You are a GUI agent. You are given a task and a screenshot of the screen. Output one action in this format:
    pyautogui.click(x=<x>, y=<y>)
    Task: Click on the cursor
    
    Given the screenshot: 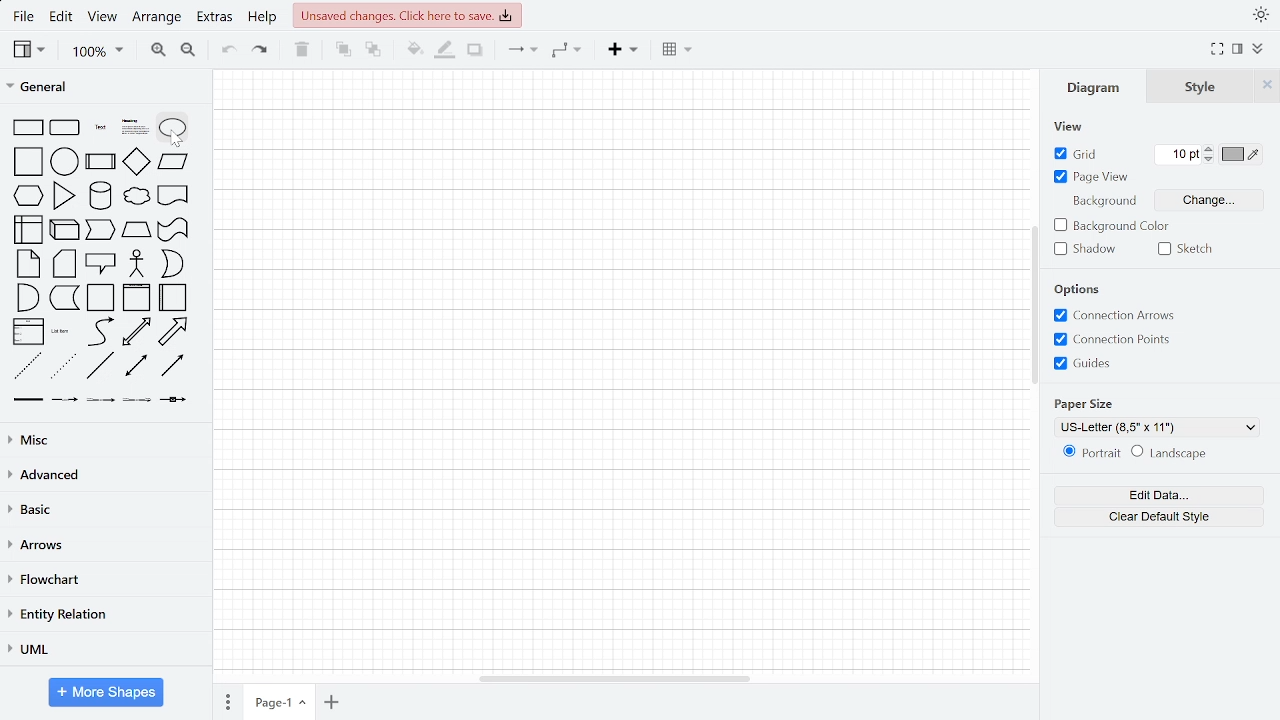 What is the action you would take?
    pyautogui.click(x=176, y=140)
    